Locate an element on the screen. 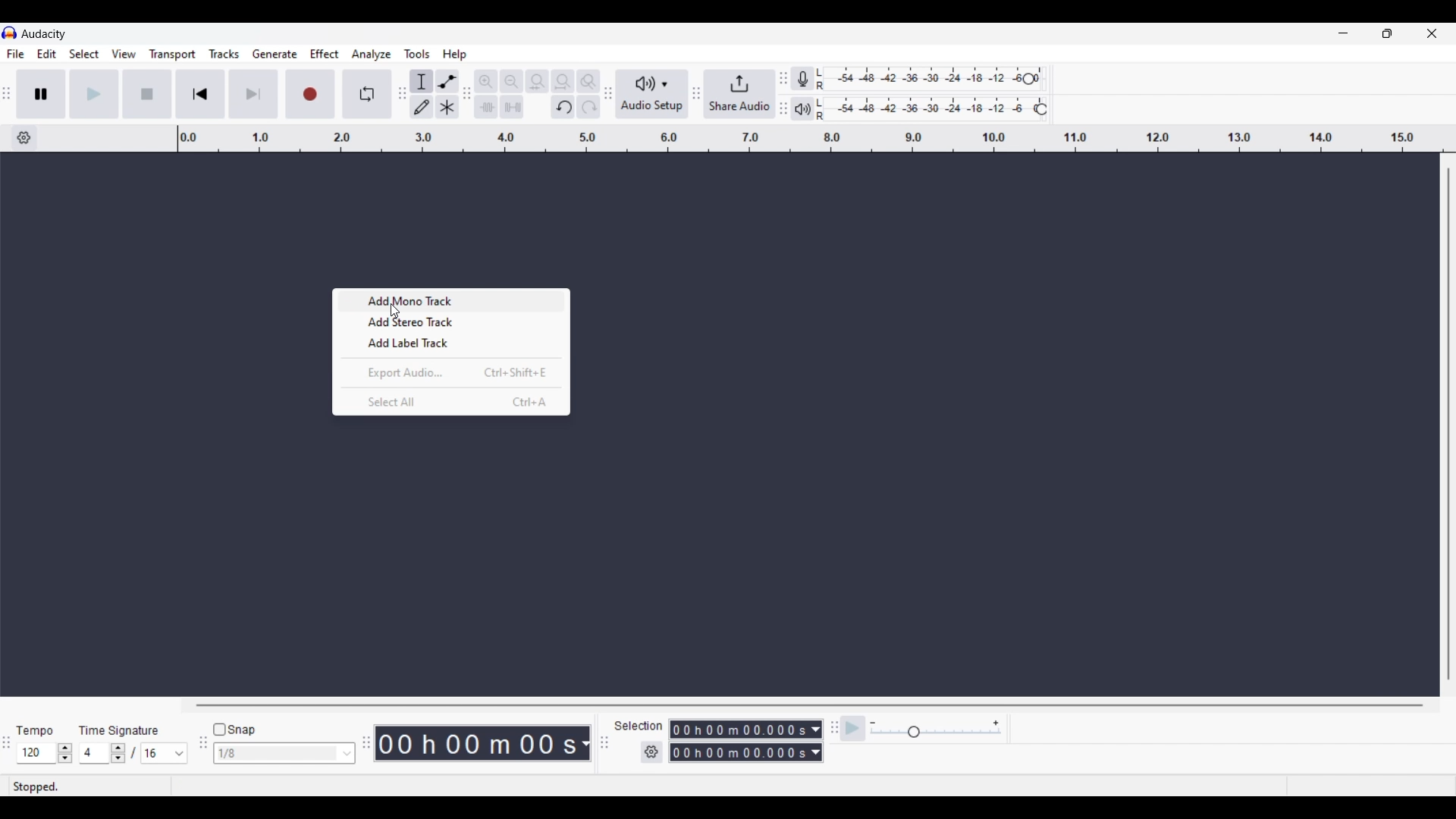 The width and height of the screenshot is (1456, 819). Time Signature is located at coordinates (121, 730).